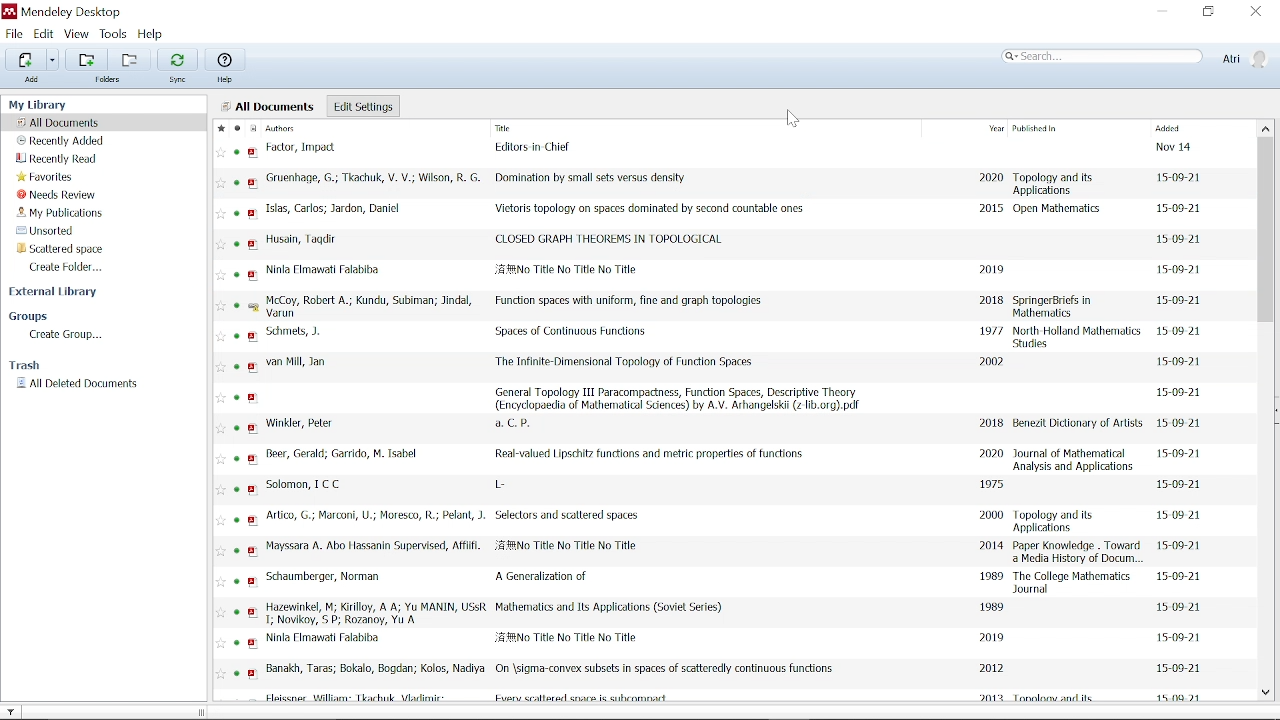 This screenshot has height=720, width=1280. What do you see at coordinates (61, 232) in the screenshot?
I see `Unsorted` at bounding box center [61, 232].